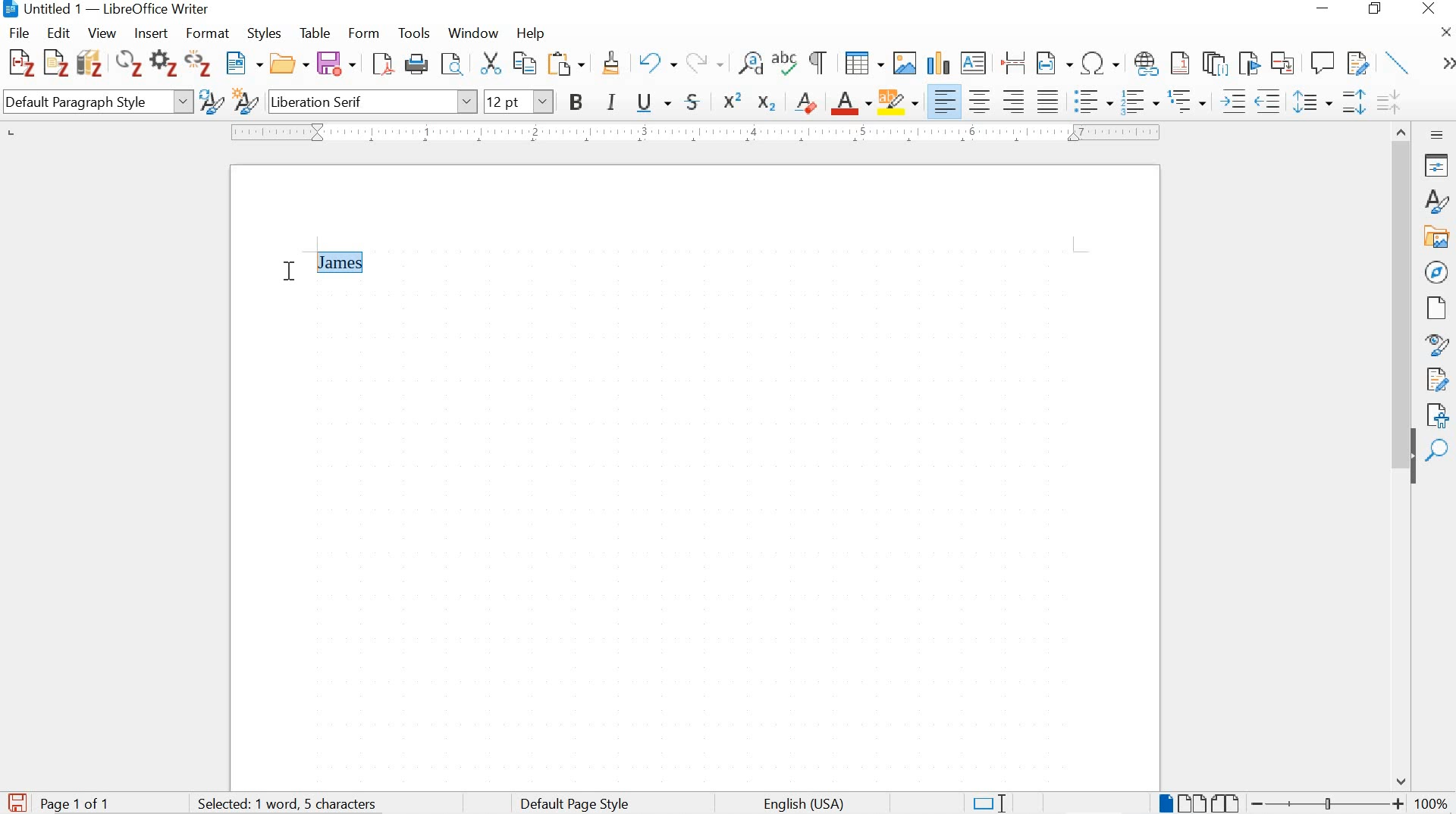 The image size is (1456, 814). Describe the element at coordinates (210, 102) in the screenshot. I see `updated selected style` at that location.